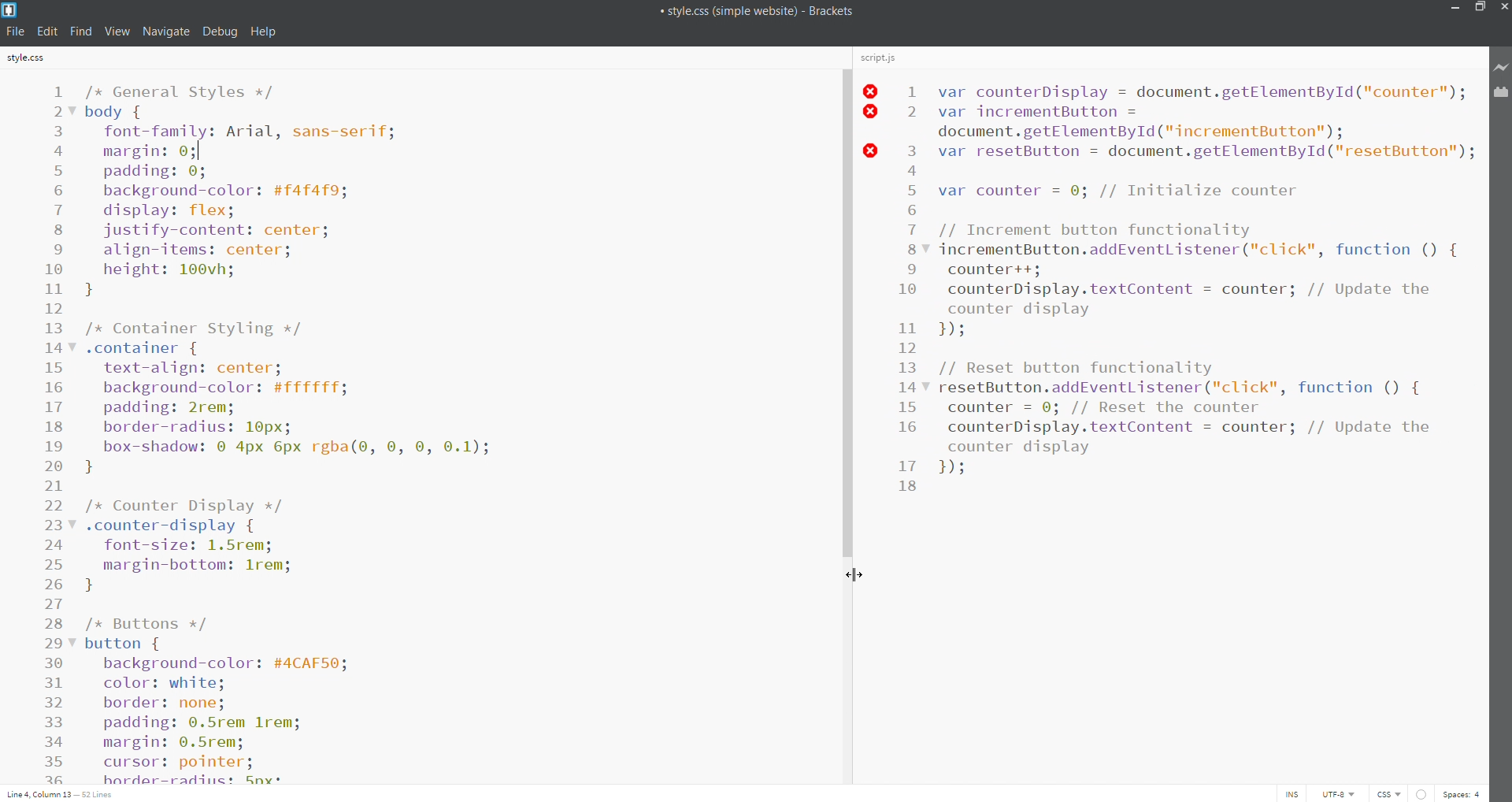  Describe the element at coordinates (1336, 794) in the screenshot. I see `encoding` at that location.